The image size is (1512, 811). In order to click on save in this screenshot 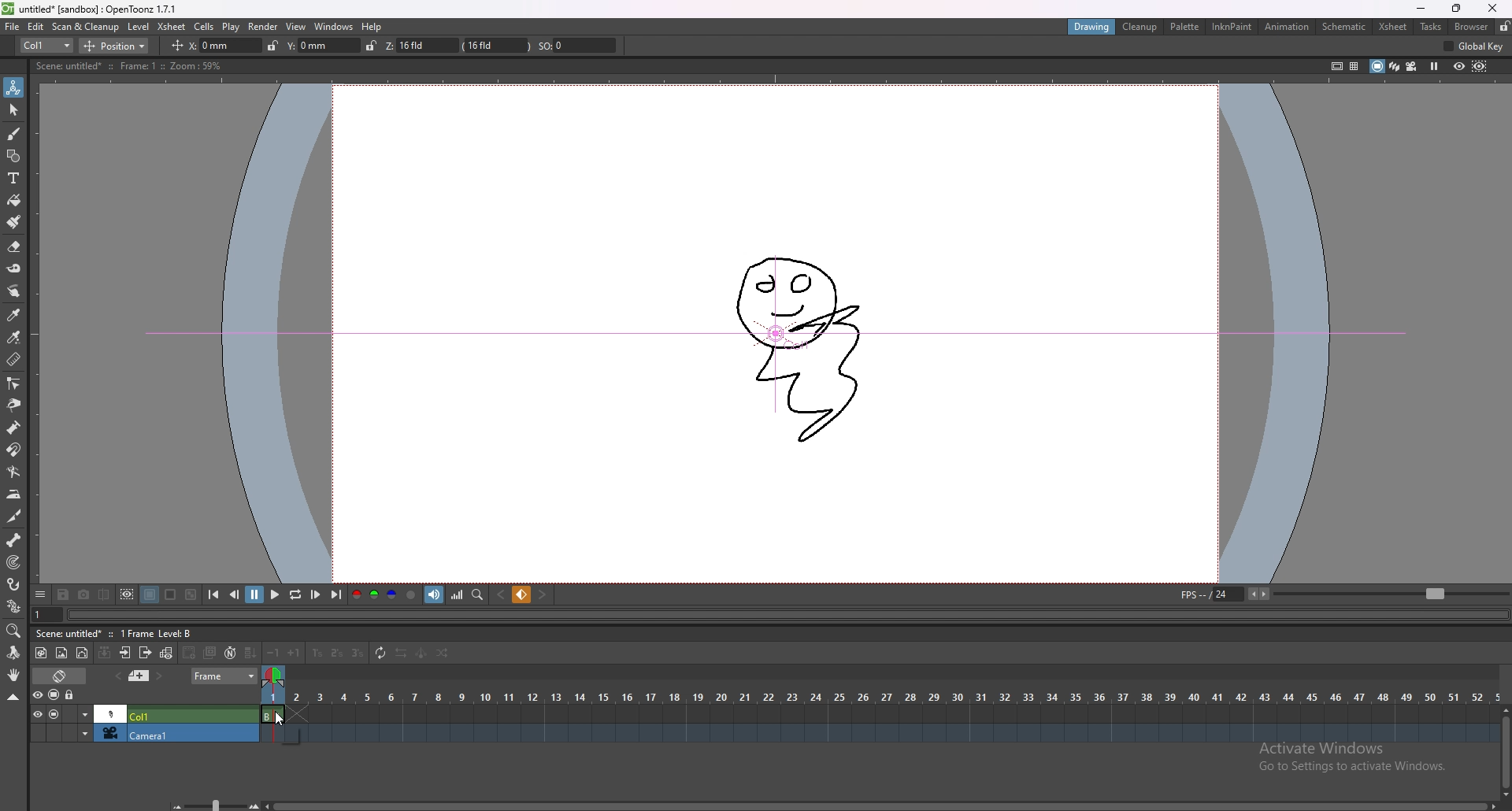, I will do `click(65, 594)`.